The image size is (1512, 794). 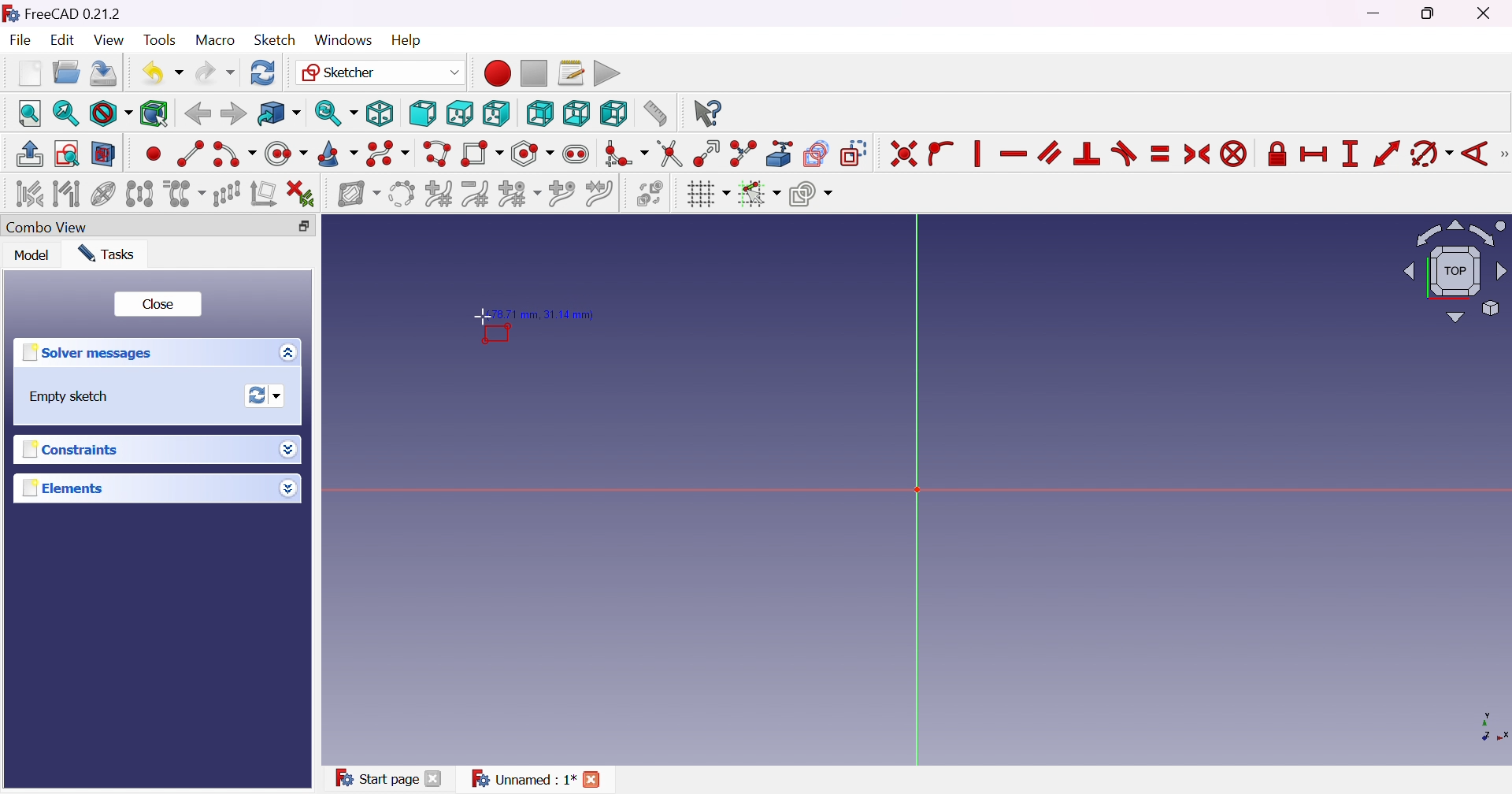 I want to click on Decrease B-spline degree, so click(x=477, y=194).